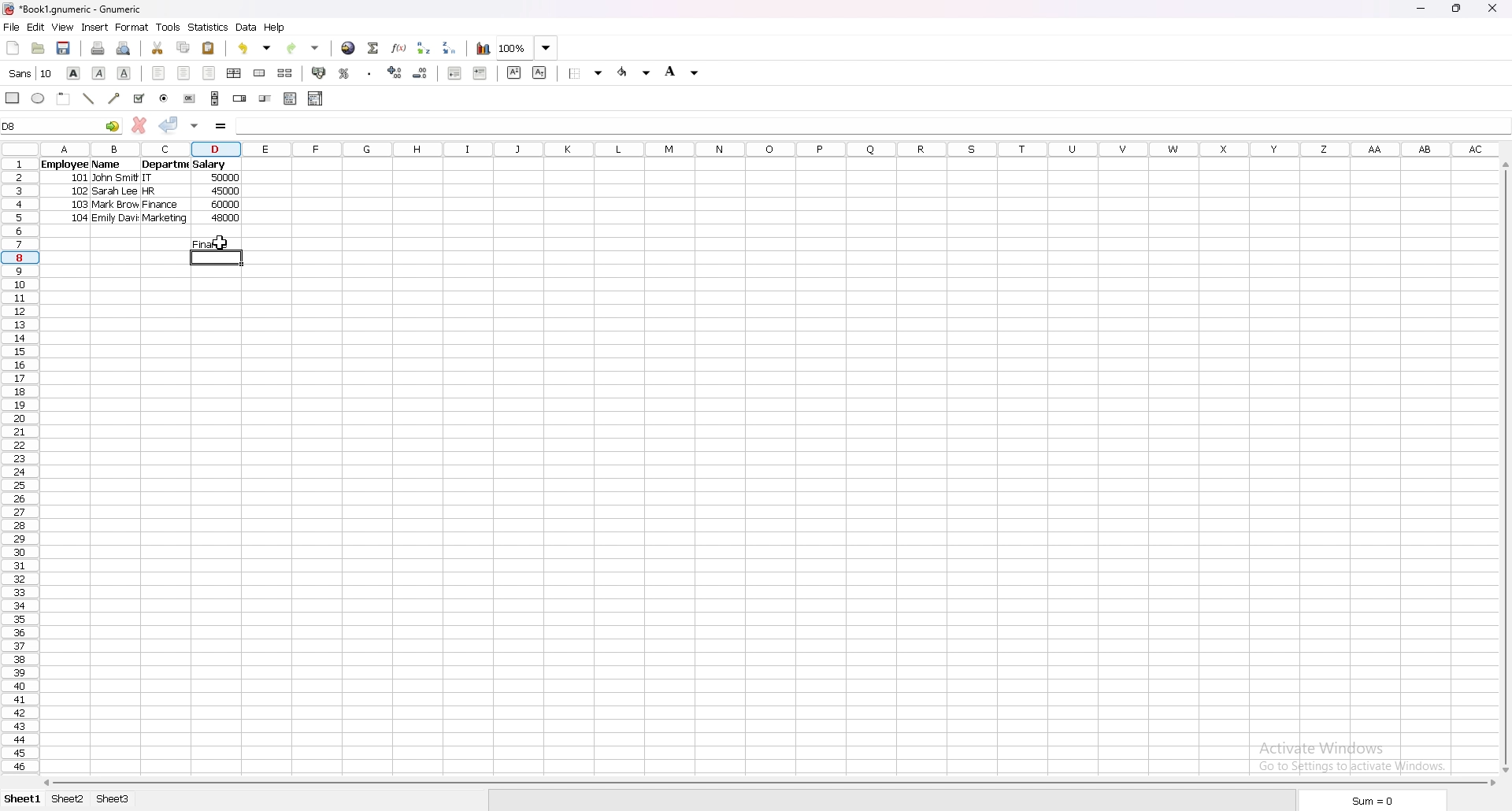 Image resolution: width=1512 pixels, height=811 pixels. I want to click on merge, so click(261, 73).